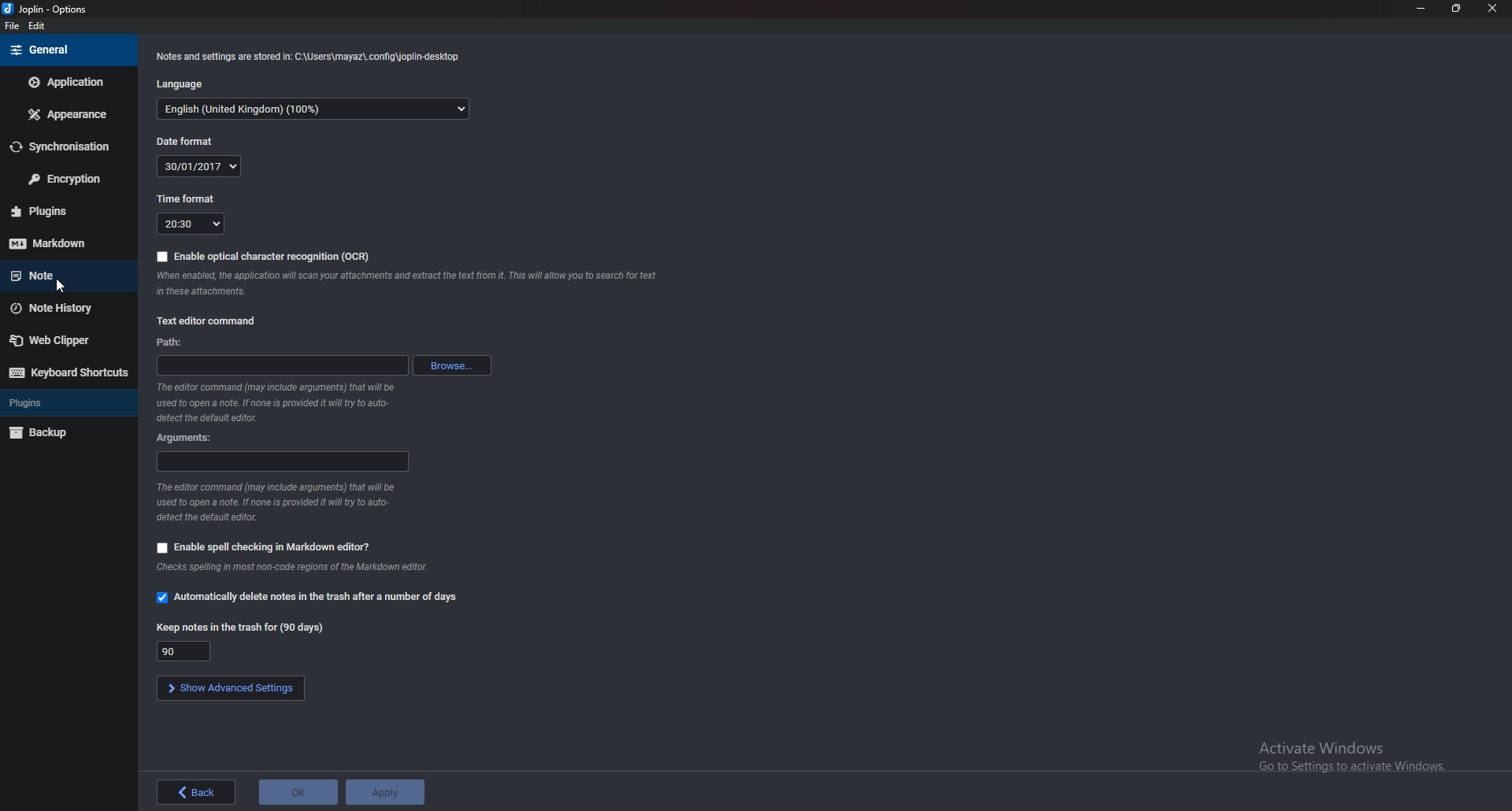  What do you see at coordinates (264, 548) in the screenshot?
I see `Enable spell checking` at bounding box center [264, 548].